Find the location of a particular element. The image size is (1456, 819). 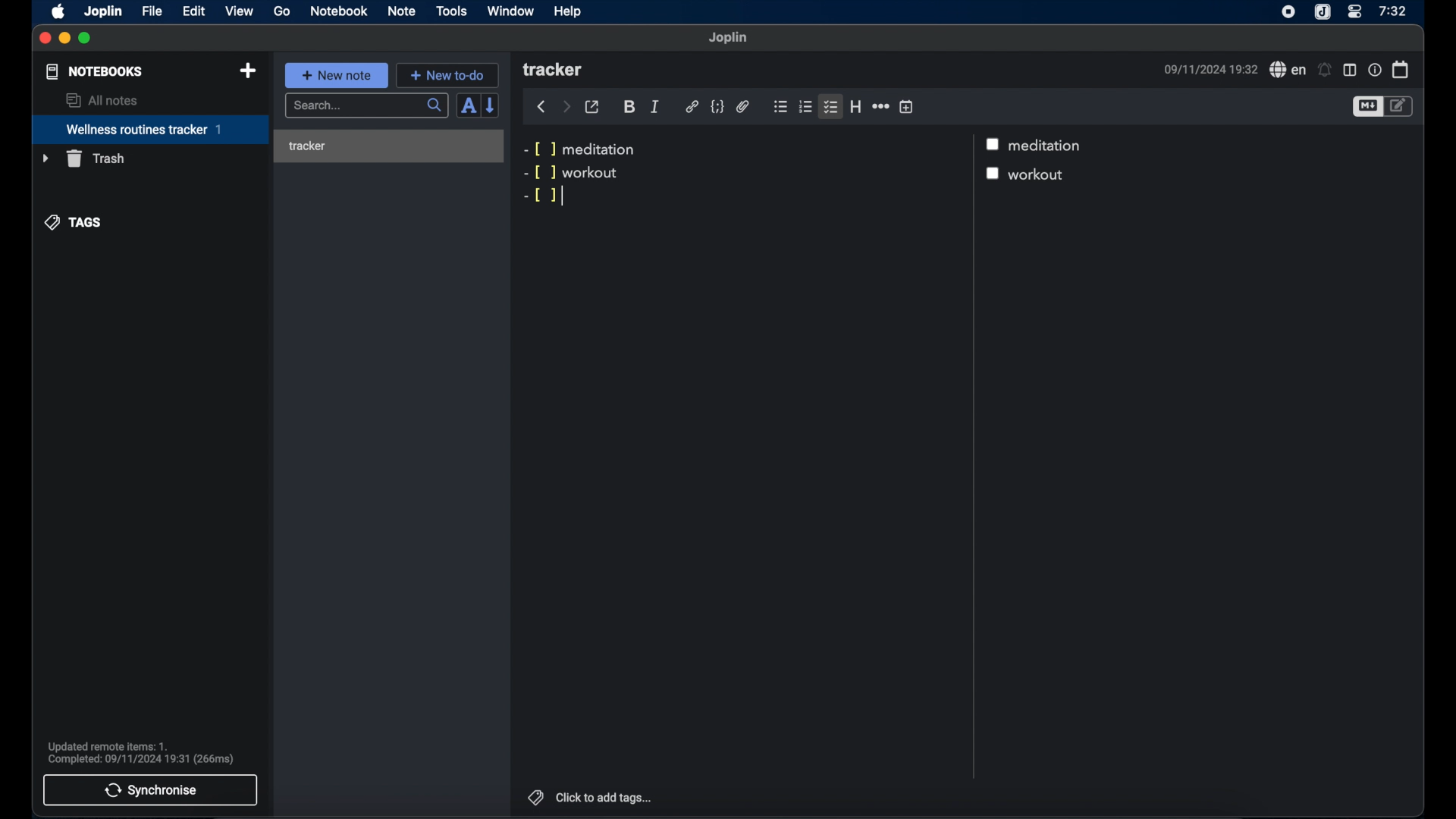

control center is located at coordinates (1355, 12).